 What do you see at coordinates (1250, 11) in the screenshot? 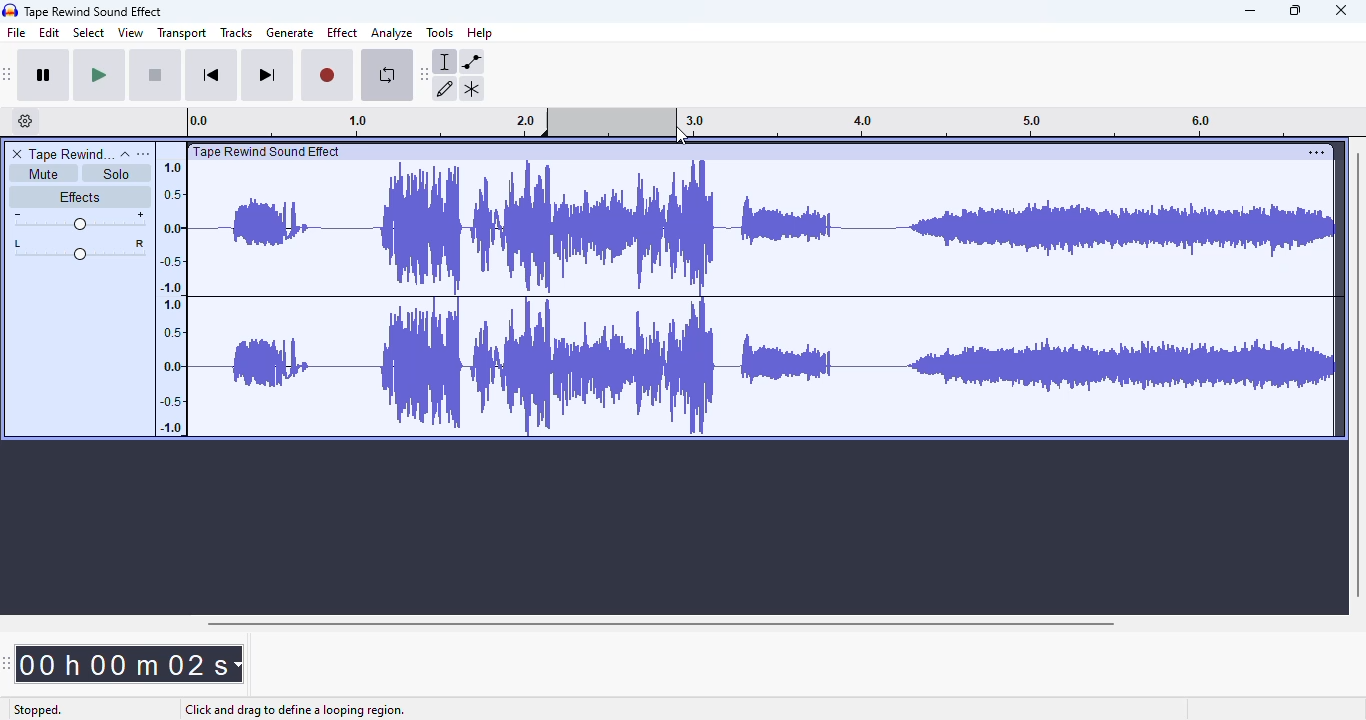
I see `minimize` at bounding box center [1250, 11].